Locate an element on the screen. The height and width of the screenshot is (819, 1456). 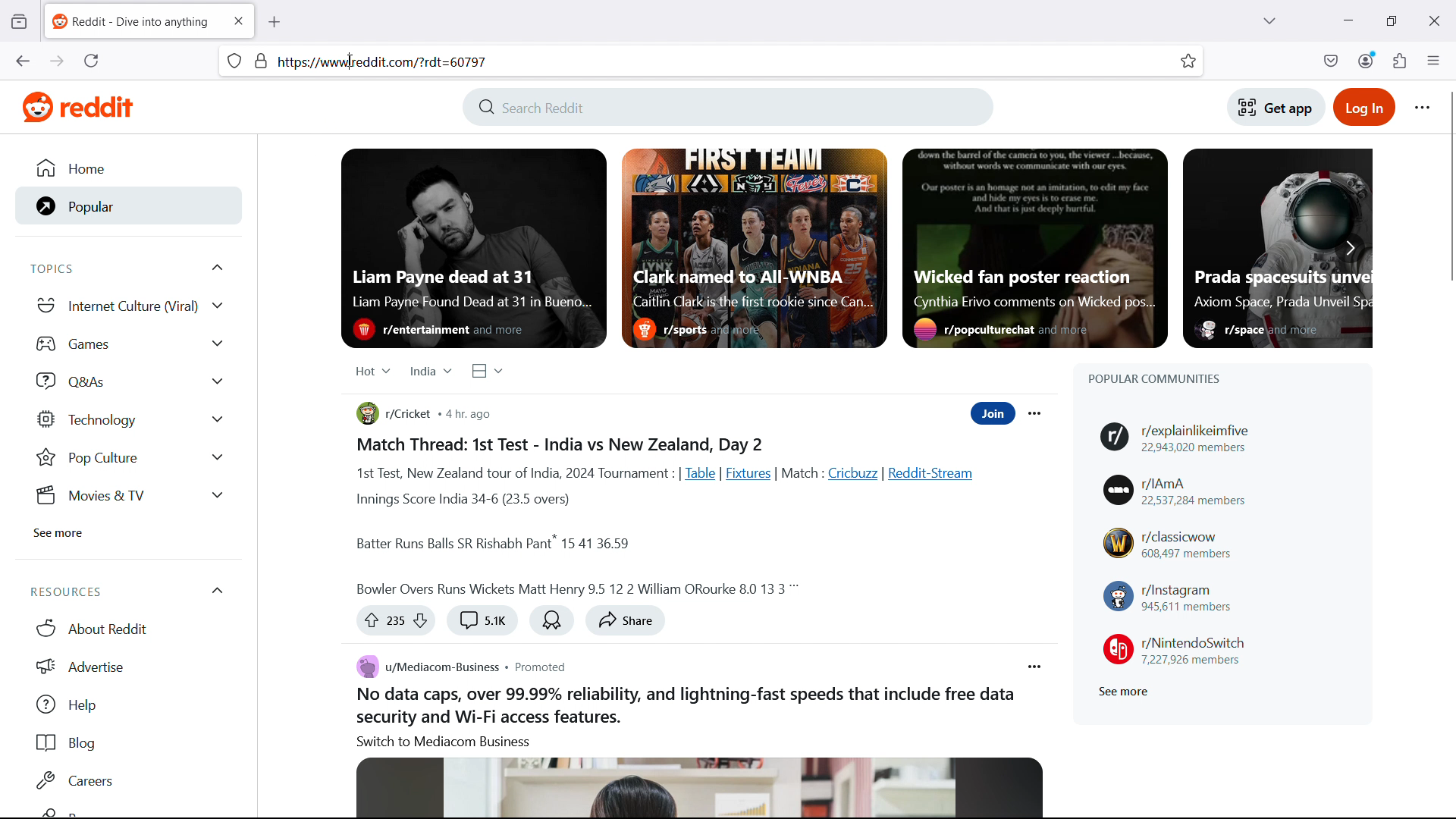
Advertise is located at coordinates (129, 667).